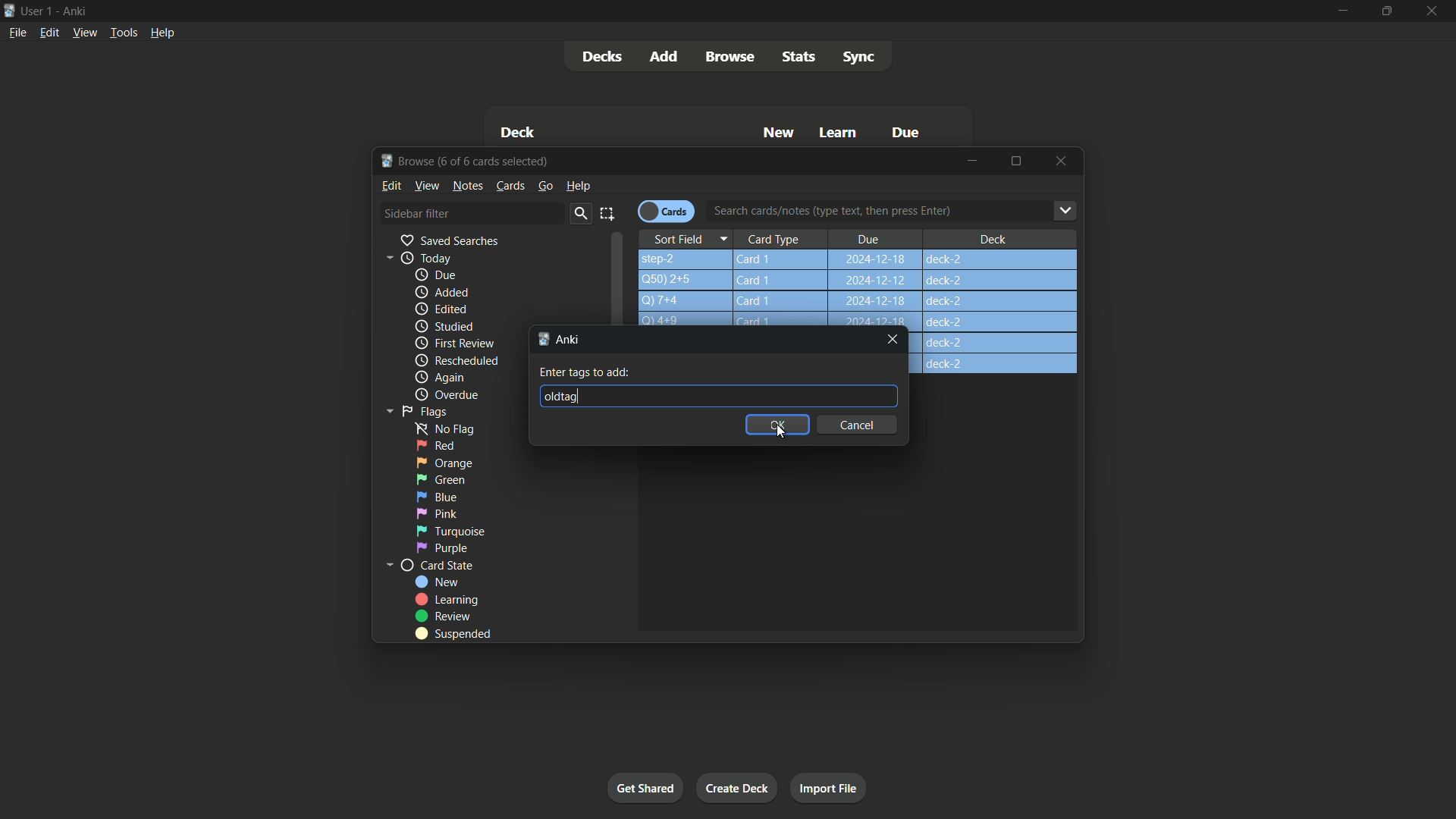  I want to click on First review, so click(454, 343).